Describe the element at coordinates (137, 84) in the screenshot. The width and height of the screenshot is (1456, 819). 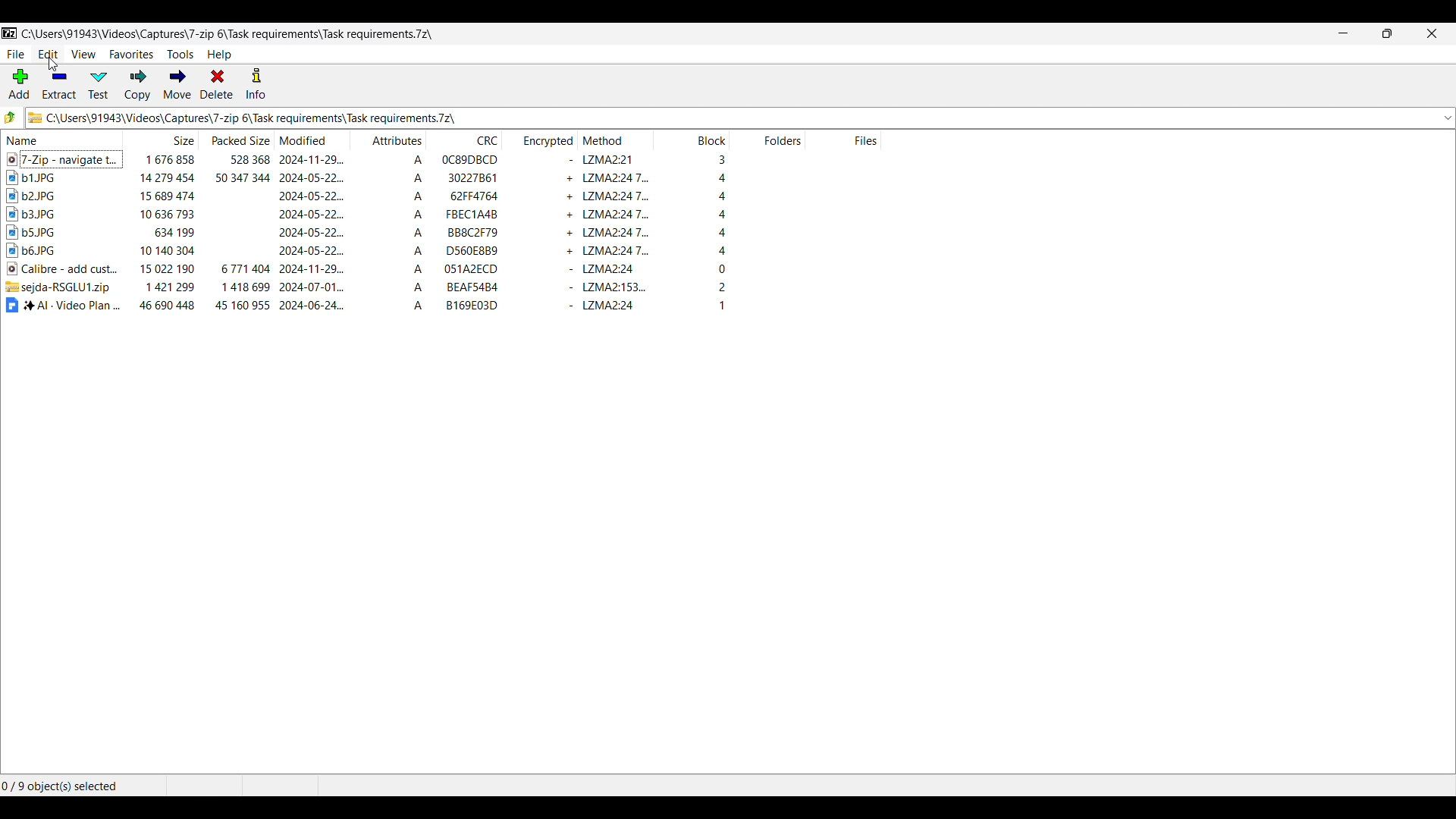
I see `Copy` at that location.